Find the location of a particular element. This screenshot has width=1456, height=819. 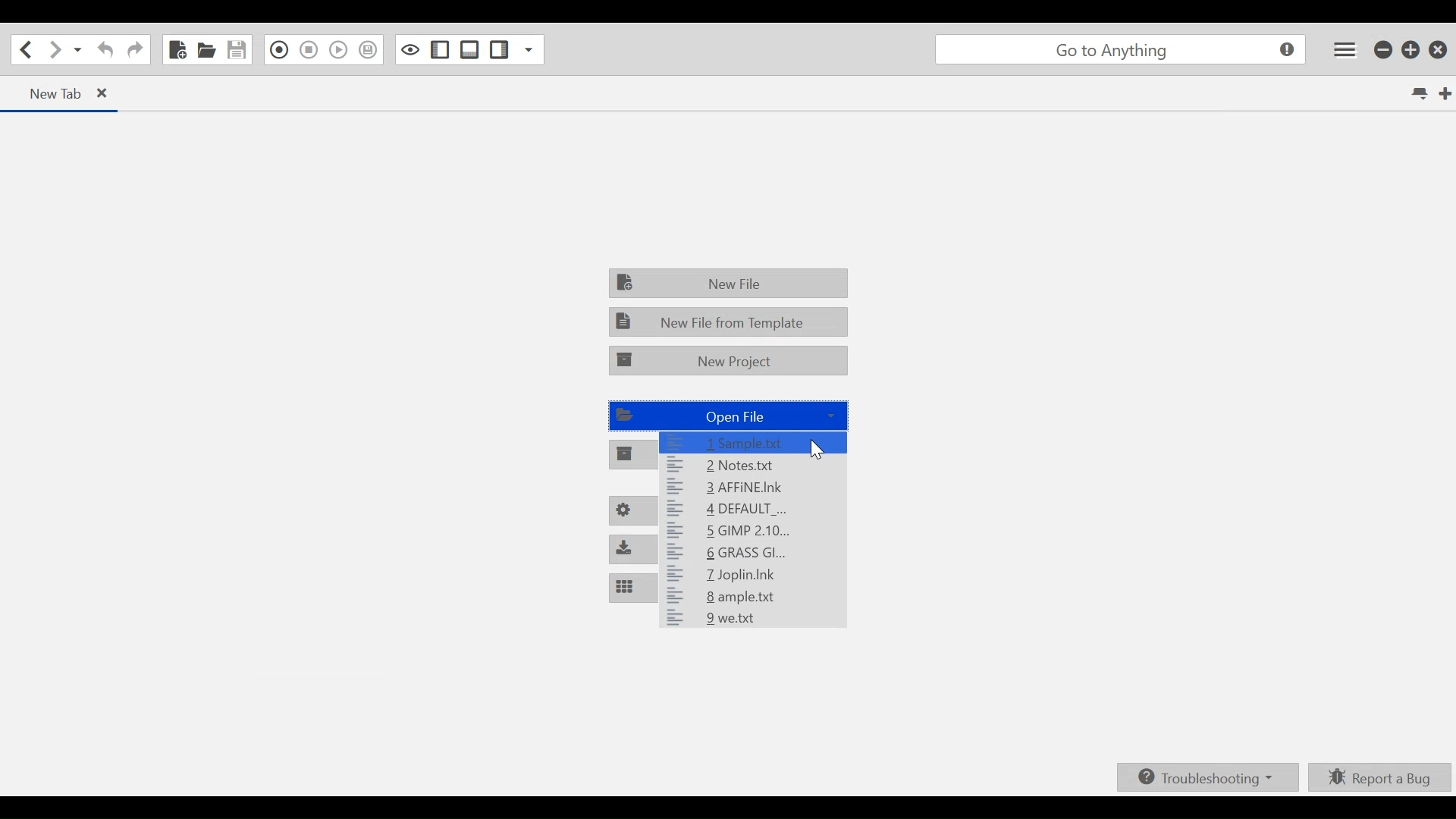

Save is located at coordinates (235, 49).